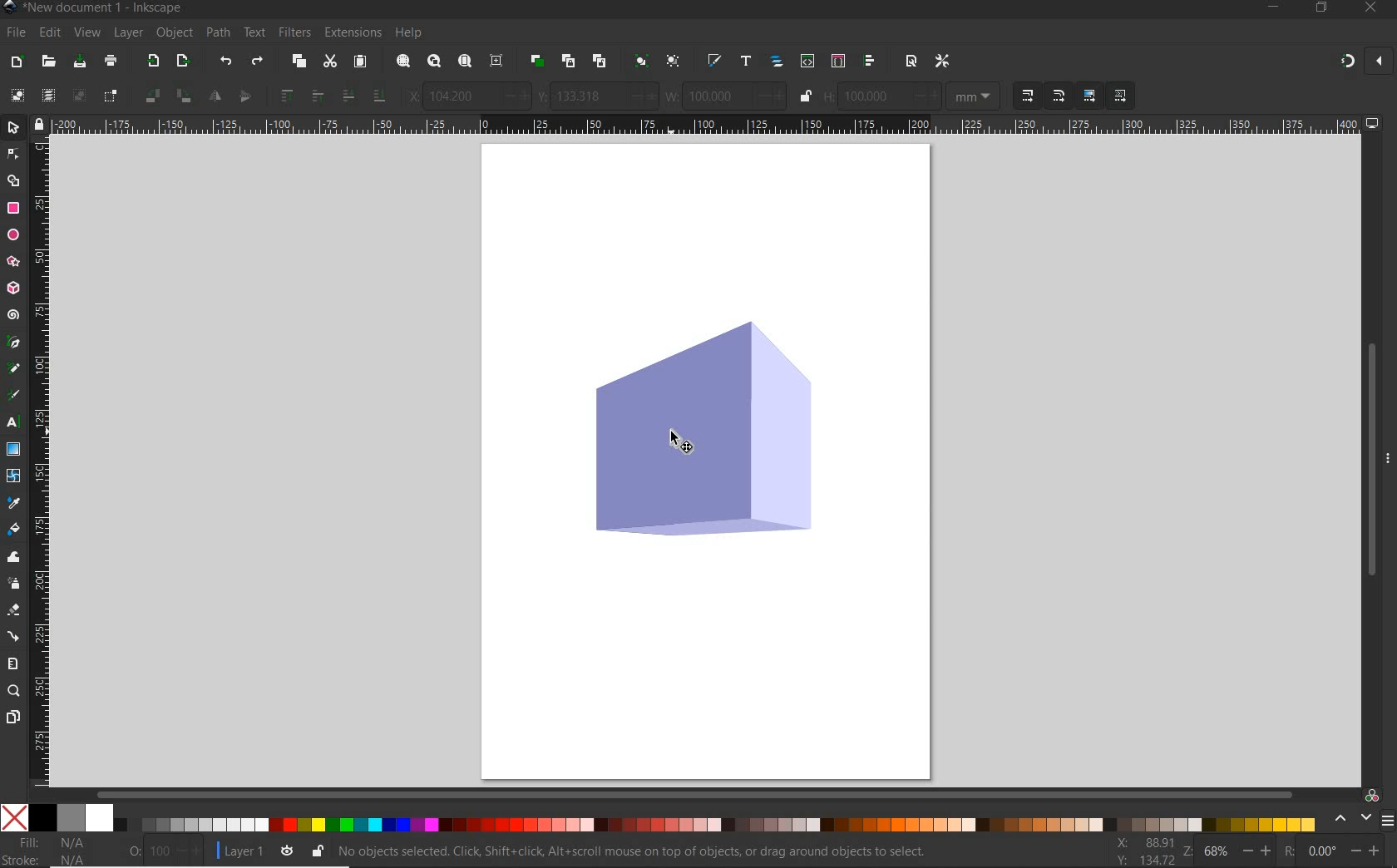  What do you see at coordinates (211, 95) in the screenshot?
I see `OBJECT FLIP` at bounding box center [211, 95].